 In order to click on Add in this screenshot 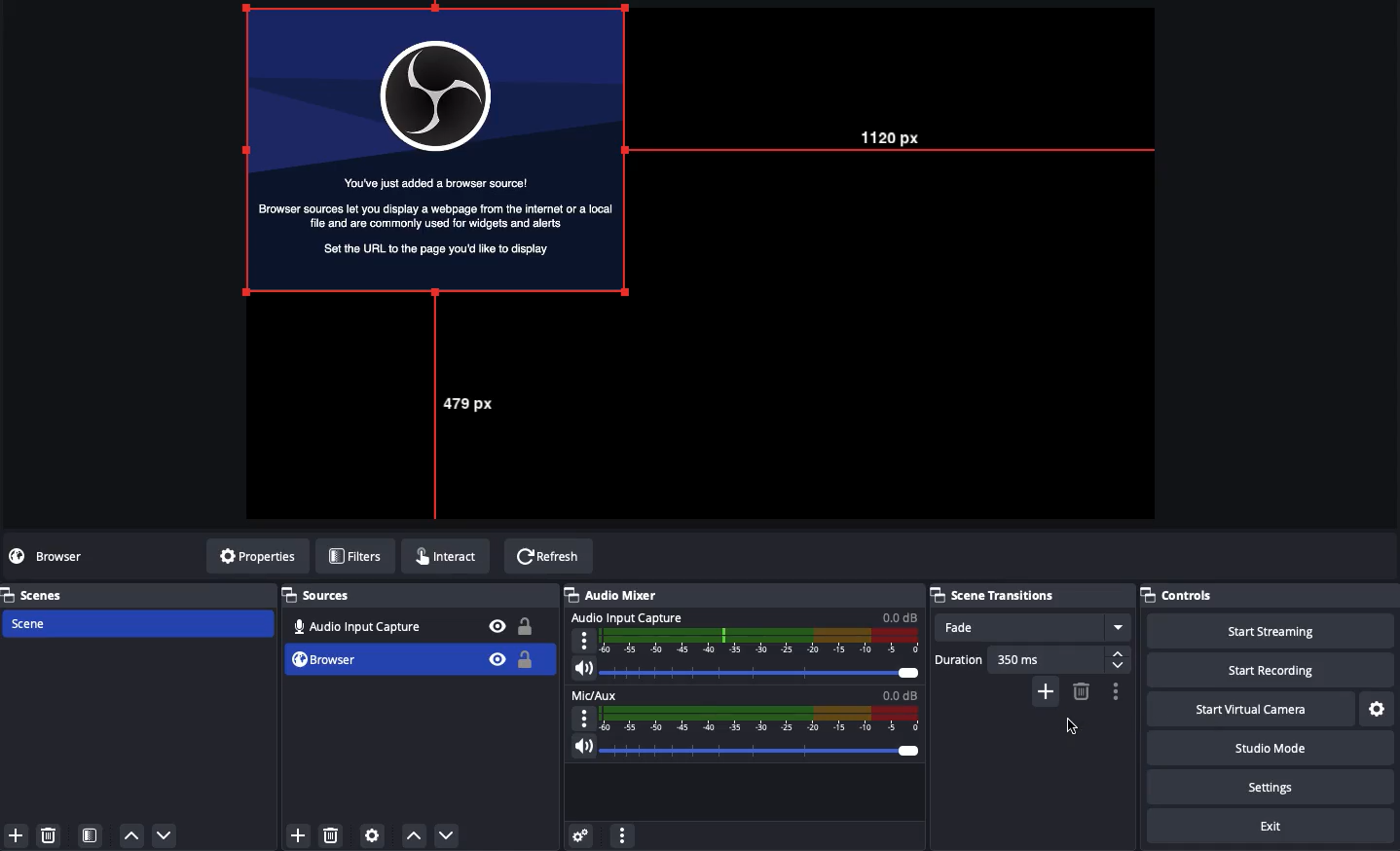, I will do `click(1046, 692)`.